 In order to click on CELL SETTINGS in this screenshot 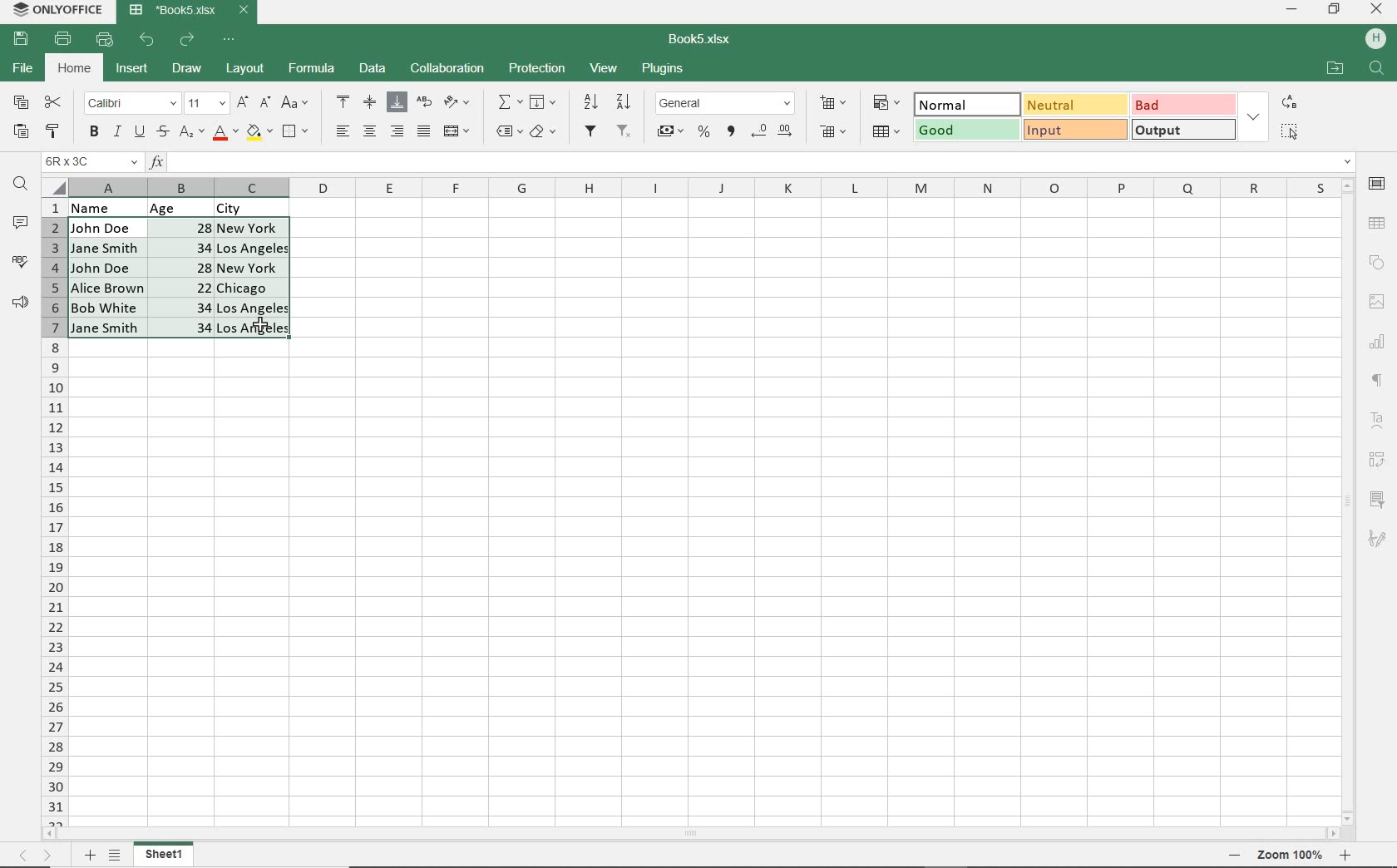, I will do `click(1378, 183)`.